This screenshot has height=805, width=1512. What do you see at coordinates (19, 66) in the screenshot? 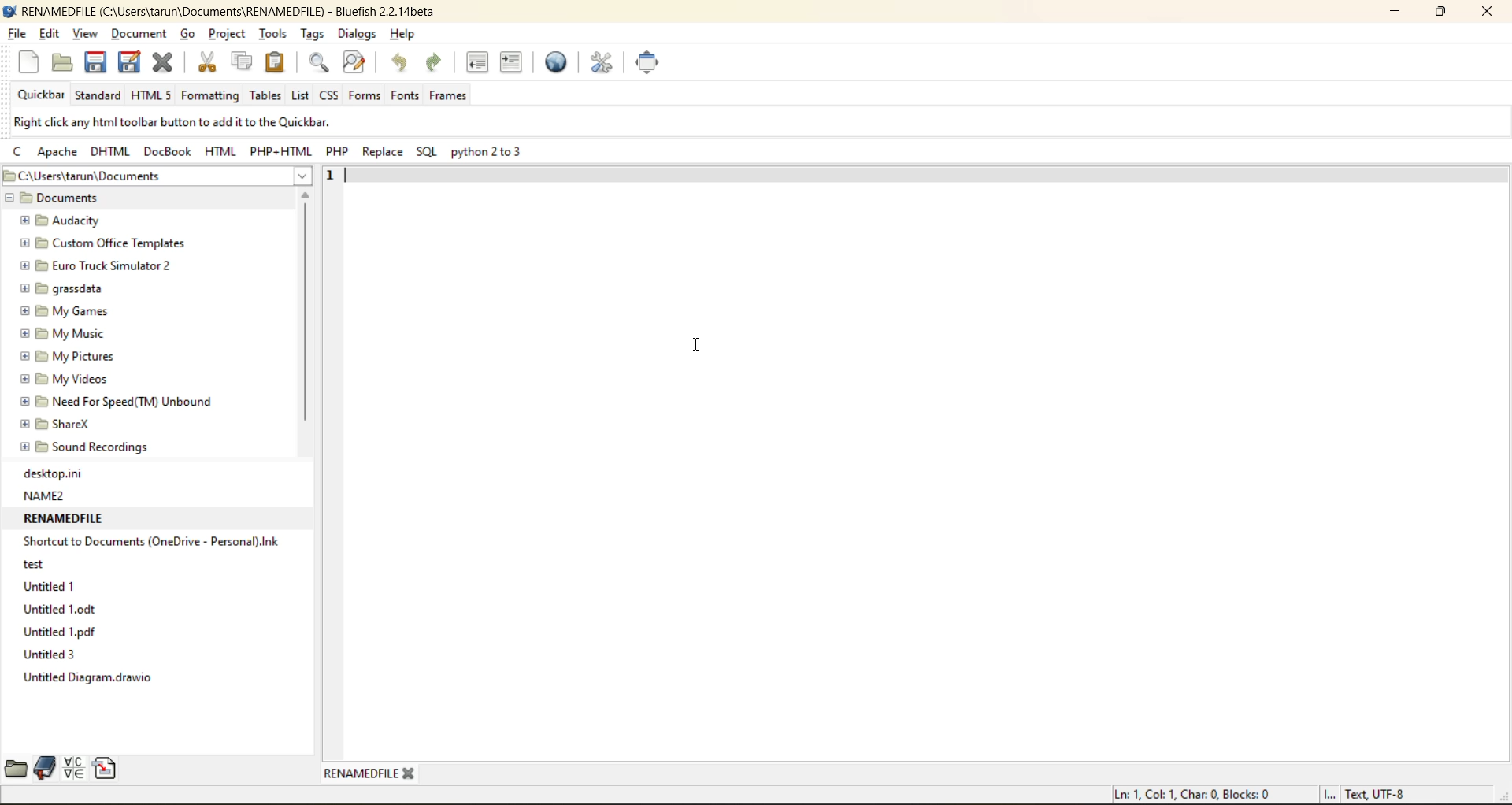
I see `new` at bounding box center [19, 66].